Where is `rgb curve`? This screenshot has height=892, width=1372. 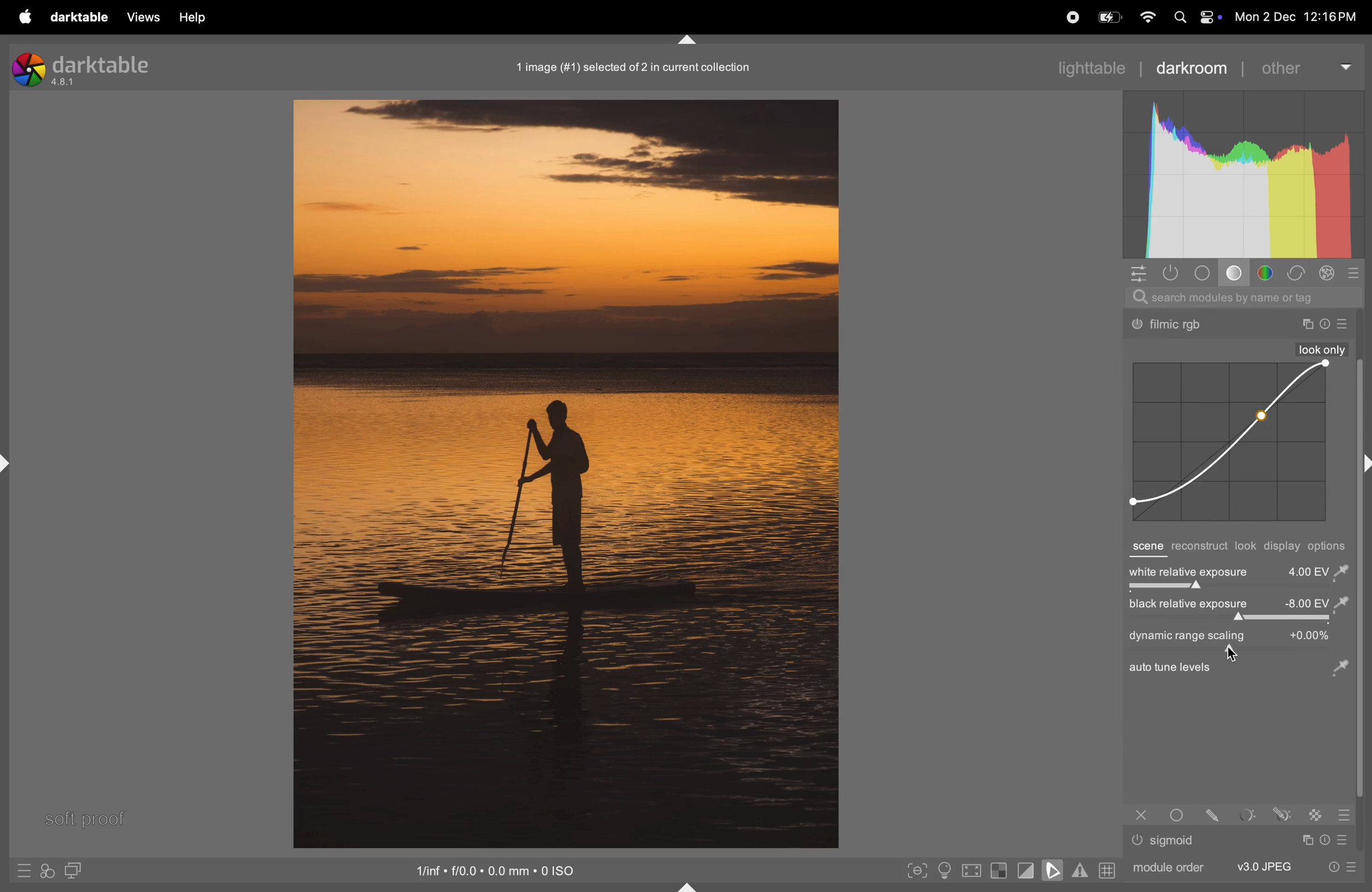
rgb curve is located at coordinates (1227, 443).